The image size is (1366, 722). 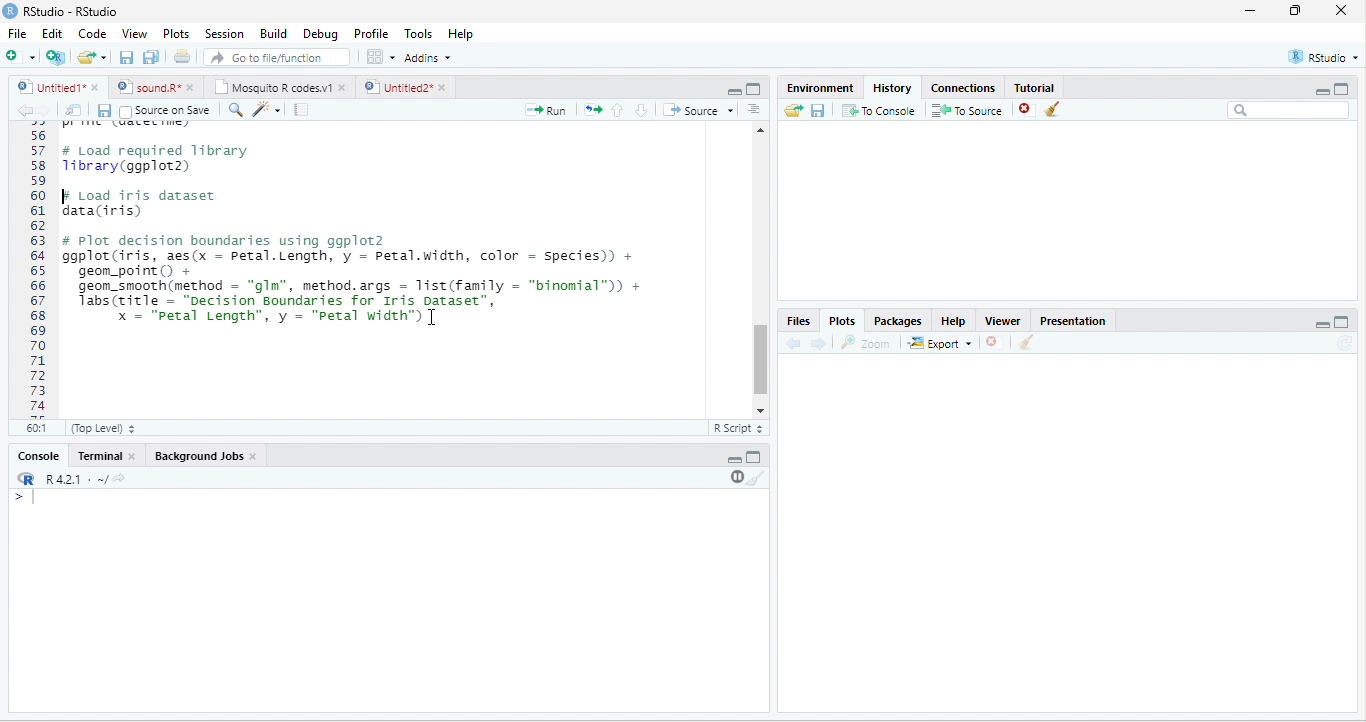 What do you see at coordinates (97, 455) in the screenshot?
I see `Terminal` at bounding box center [97, 455].